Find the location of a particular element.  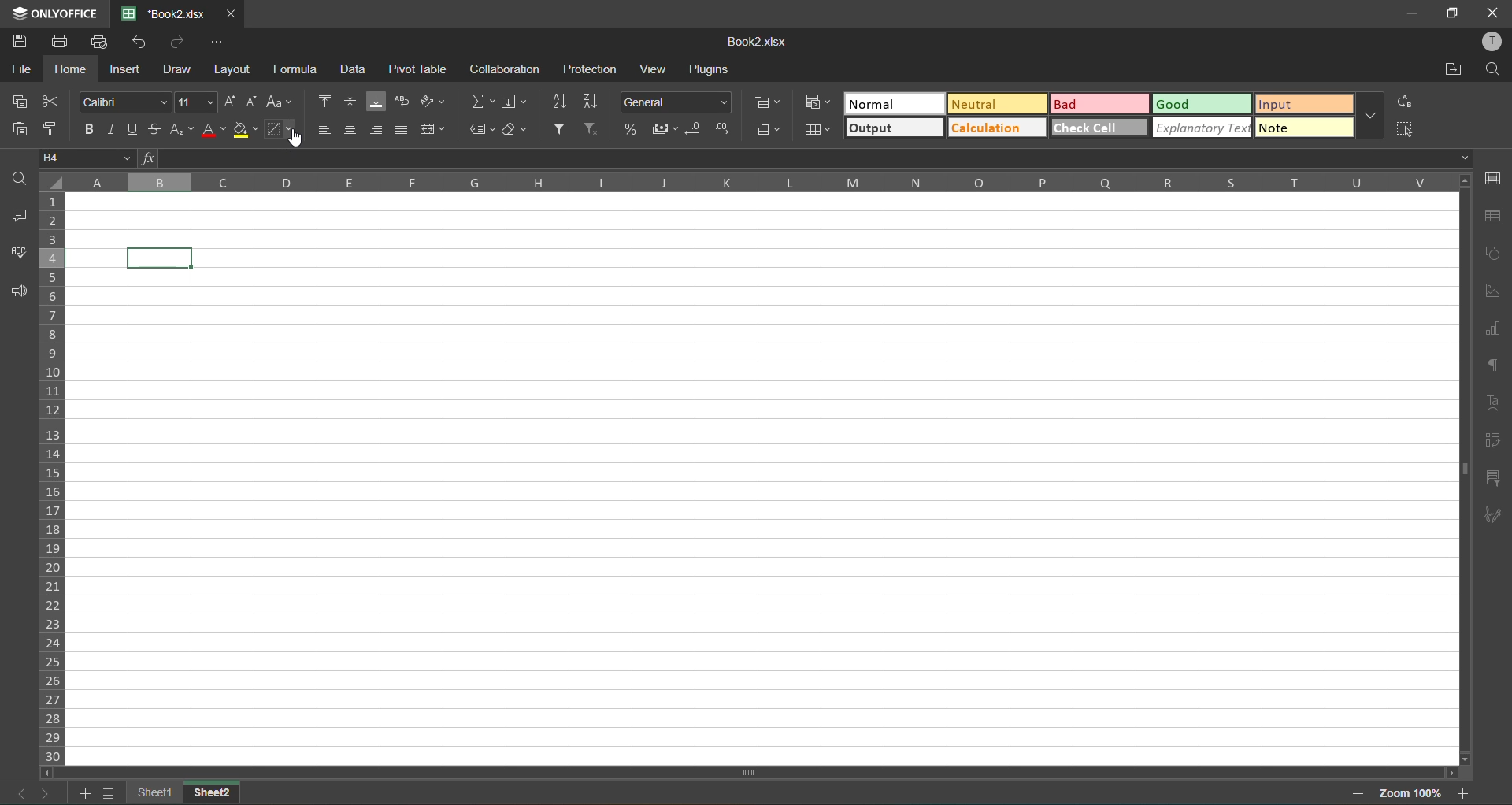

save is located at coordinates (18, 43).